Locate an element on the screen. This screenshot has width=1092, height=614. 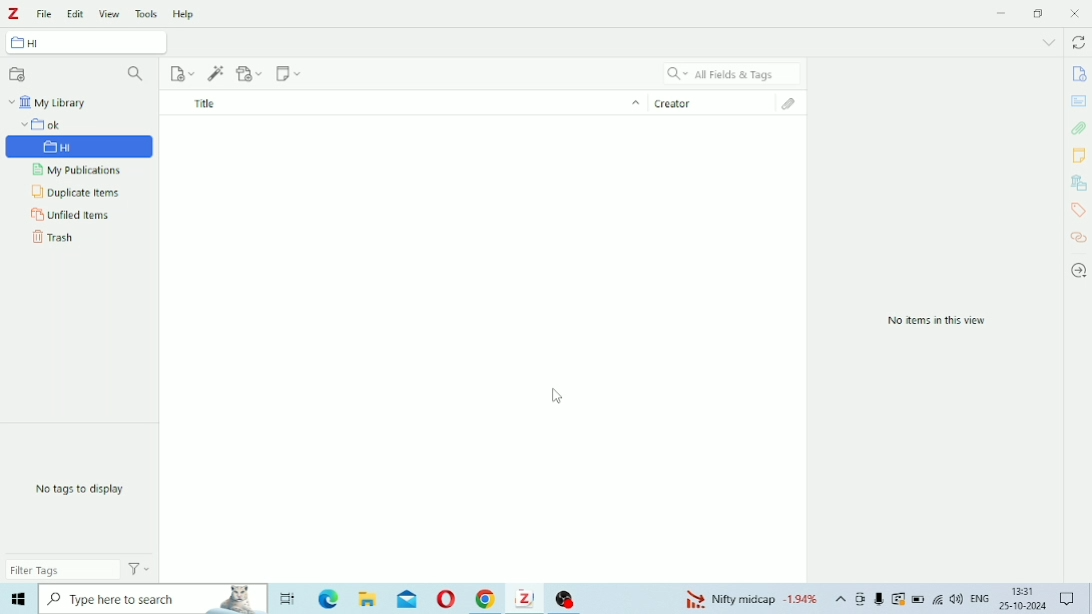
No items in this view is located at coordinates (939, 322).